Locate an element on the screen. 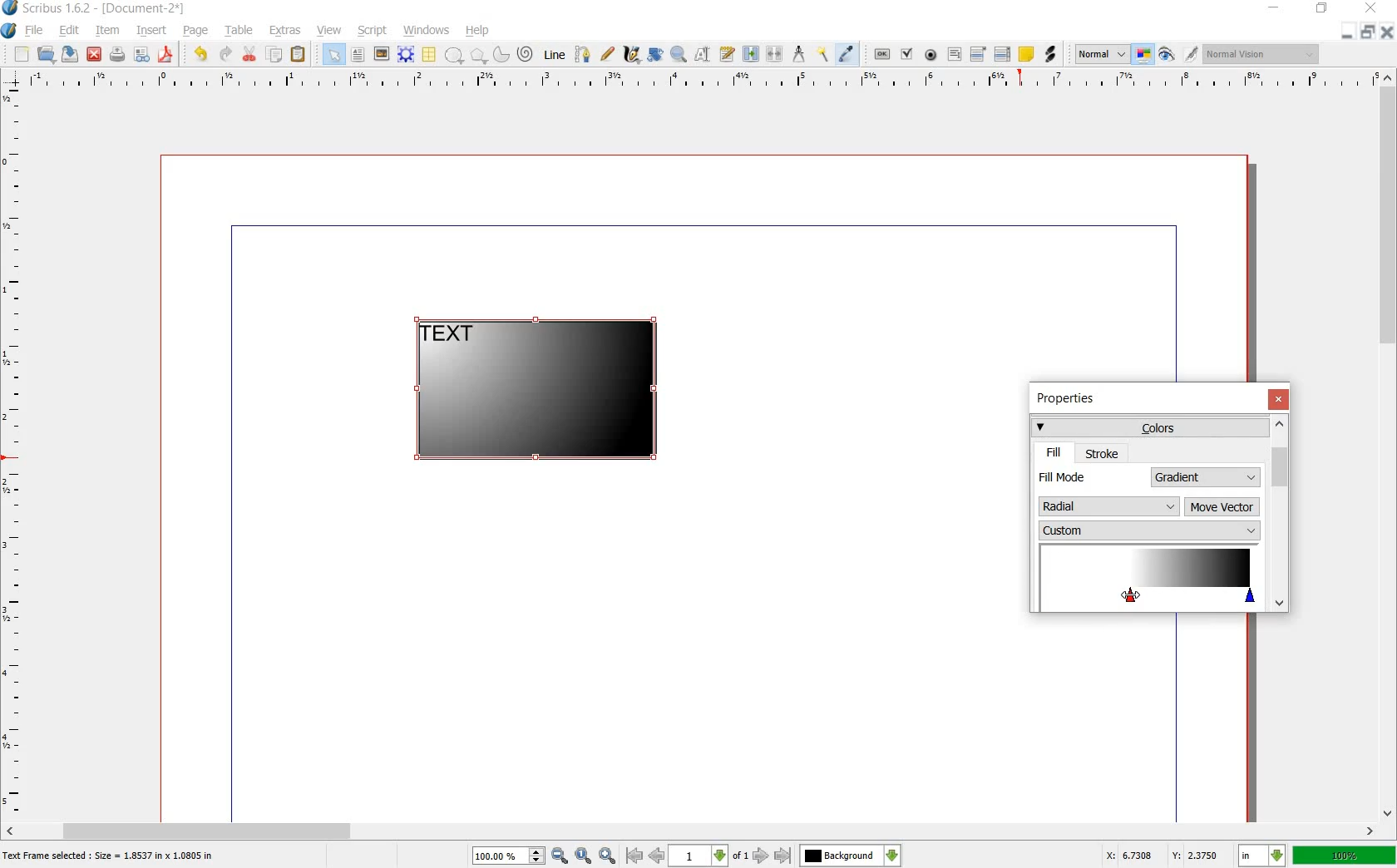  select item is located at coordinates (333, 54).